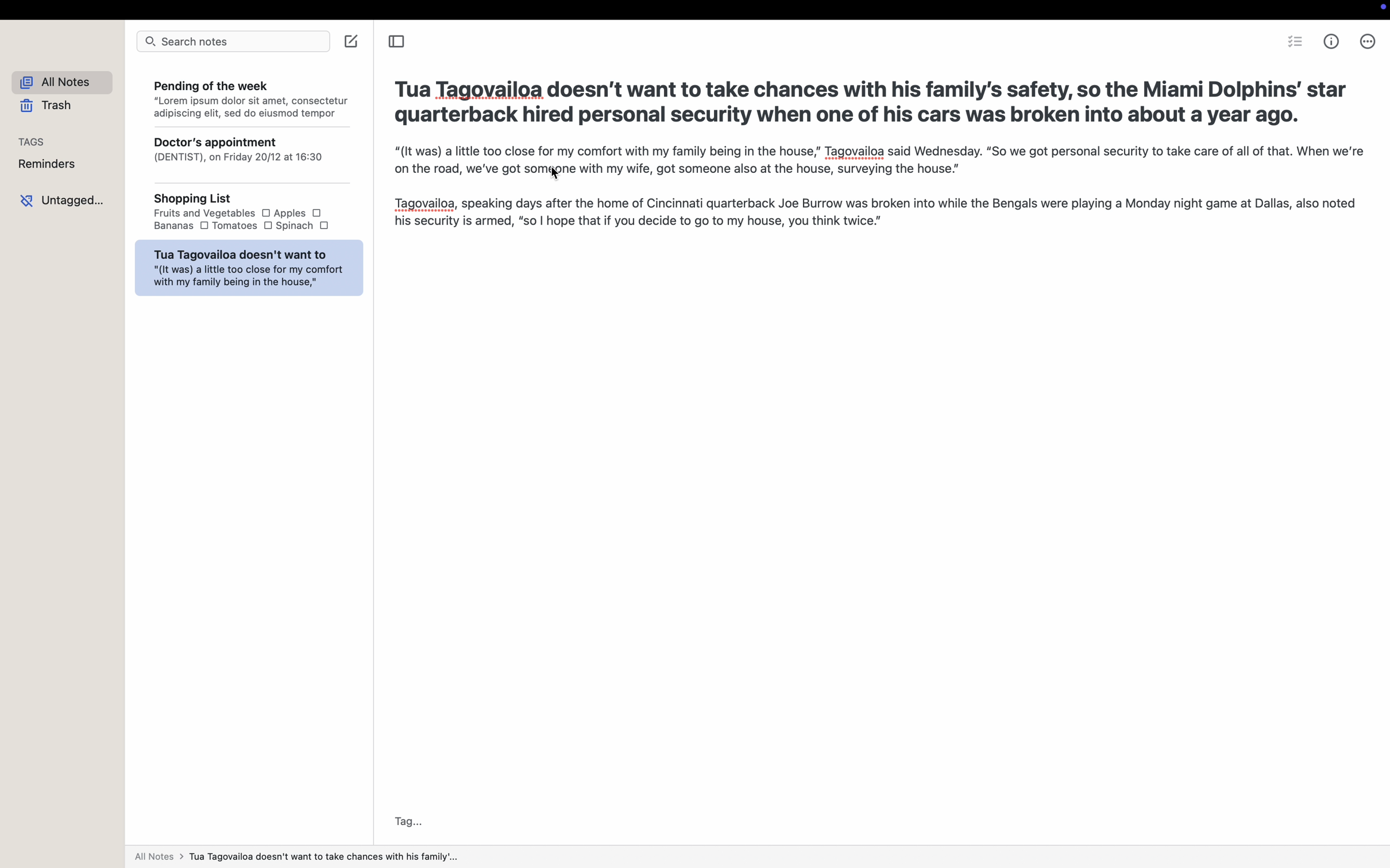  What do you see at coordinates (555, 176) in the screenshot?
I see `cursor` at bounding box center [555, 176].